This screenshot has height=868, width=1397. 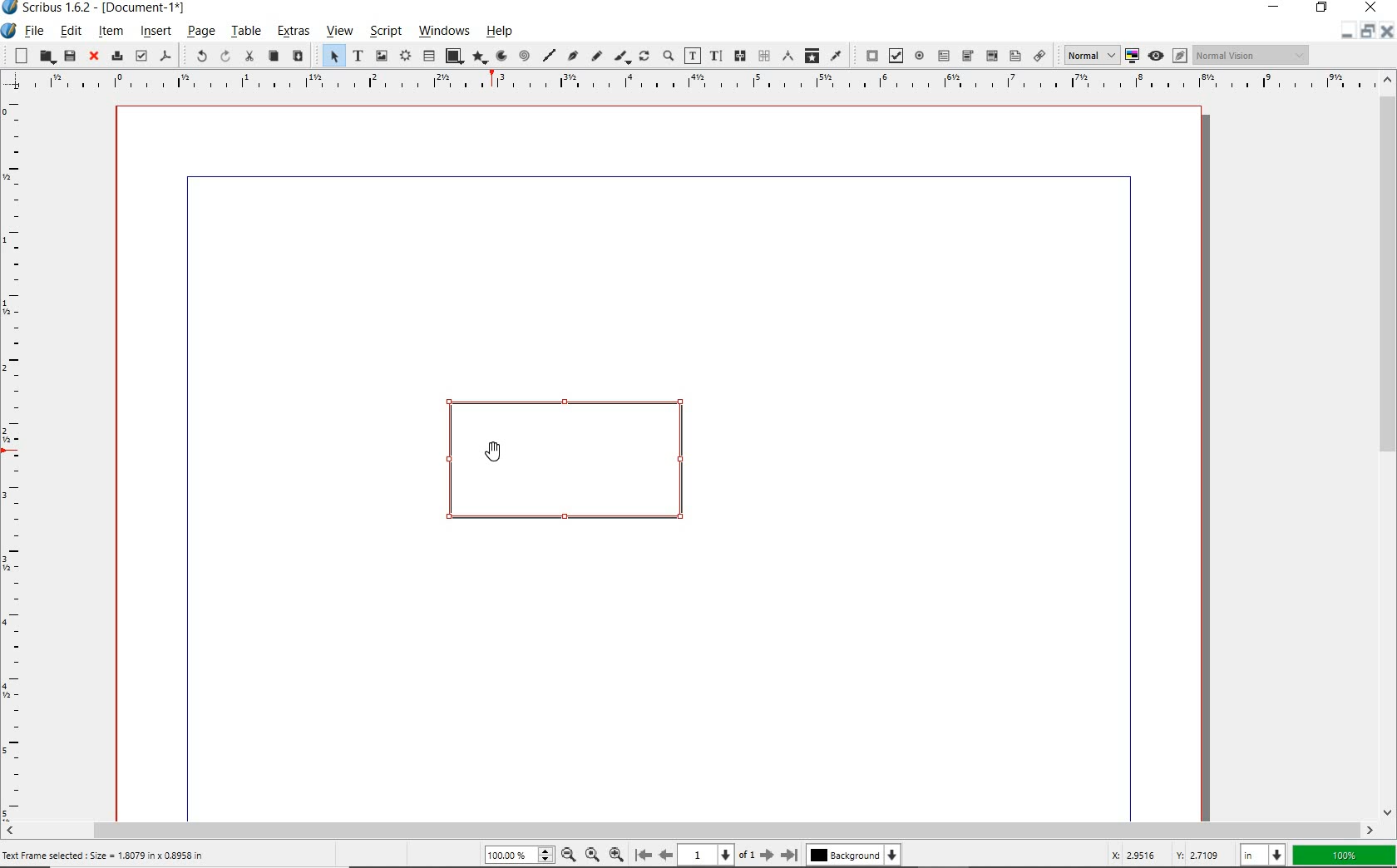 I want to click on pdf list box, so click(x=1014, y=56).